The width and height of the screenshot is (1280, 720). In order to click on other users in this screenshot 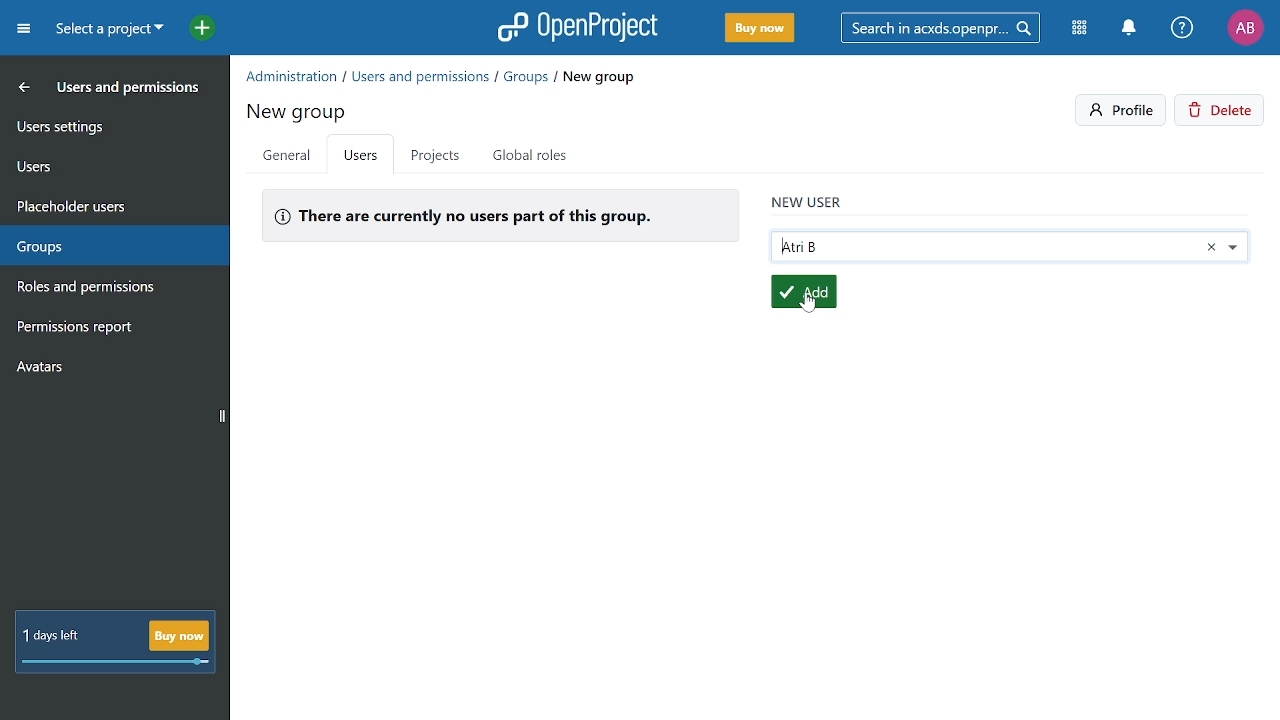, I will do `click(1240, 248)`.